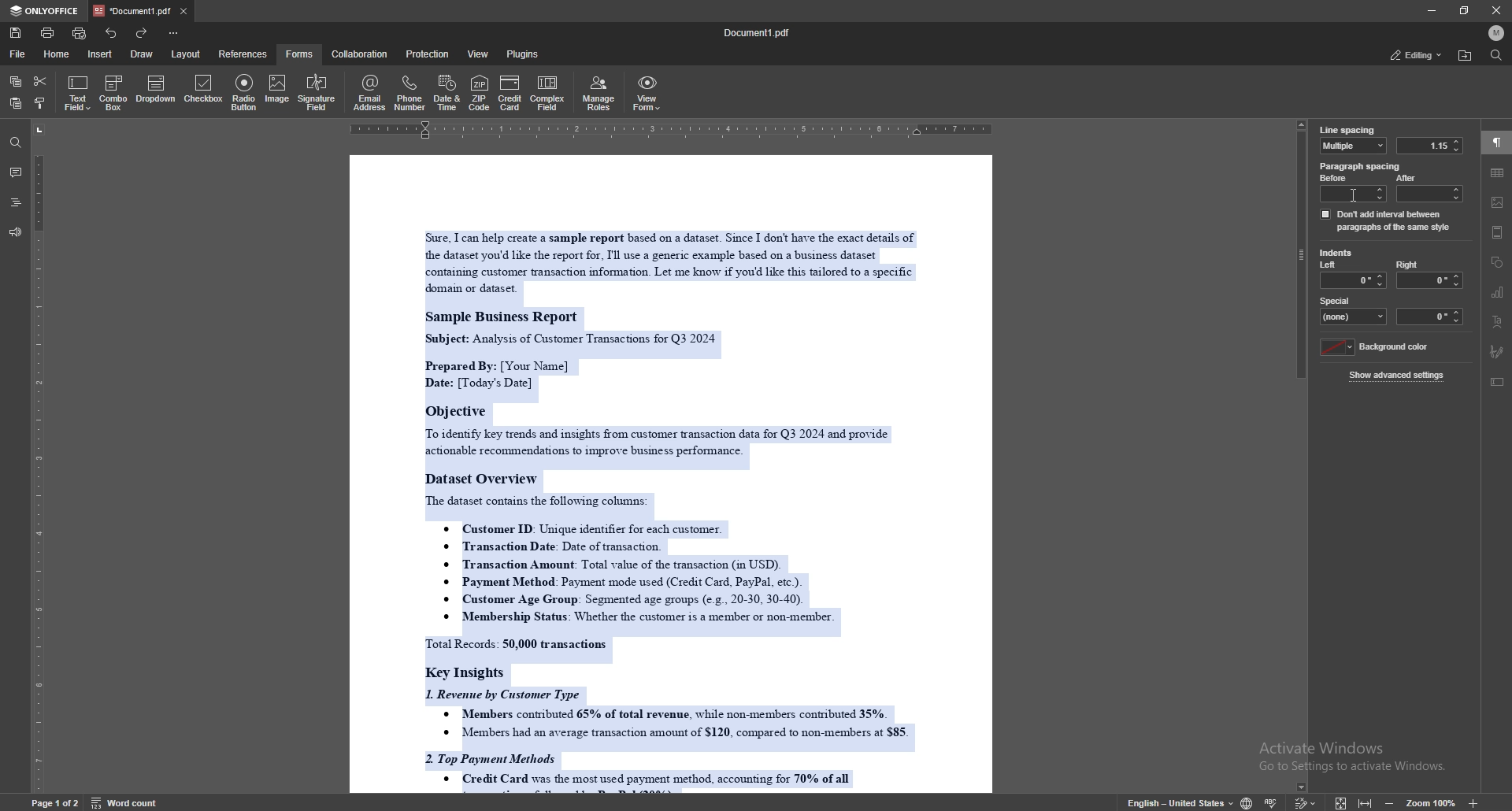 This screenshot has width=1512, height=811. What do you see at coordinates (123, 802) in the screenshot?
I see `word count` at bounding box center [123, 802].